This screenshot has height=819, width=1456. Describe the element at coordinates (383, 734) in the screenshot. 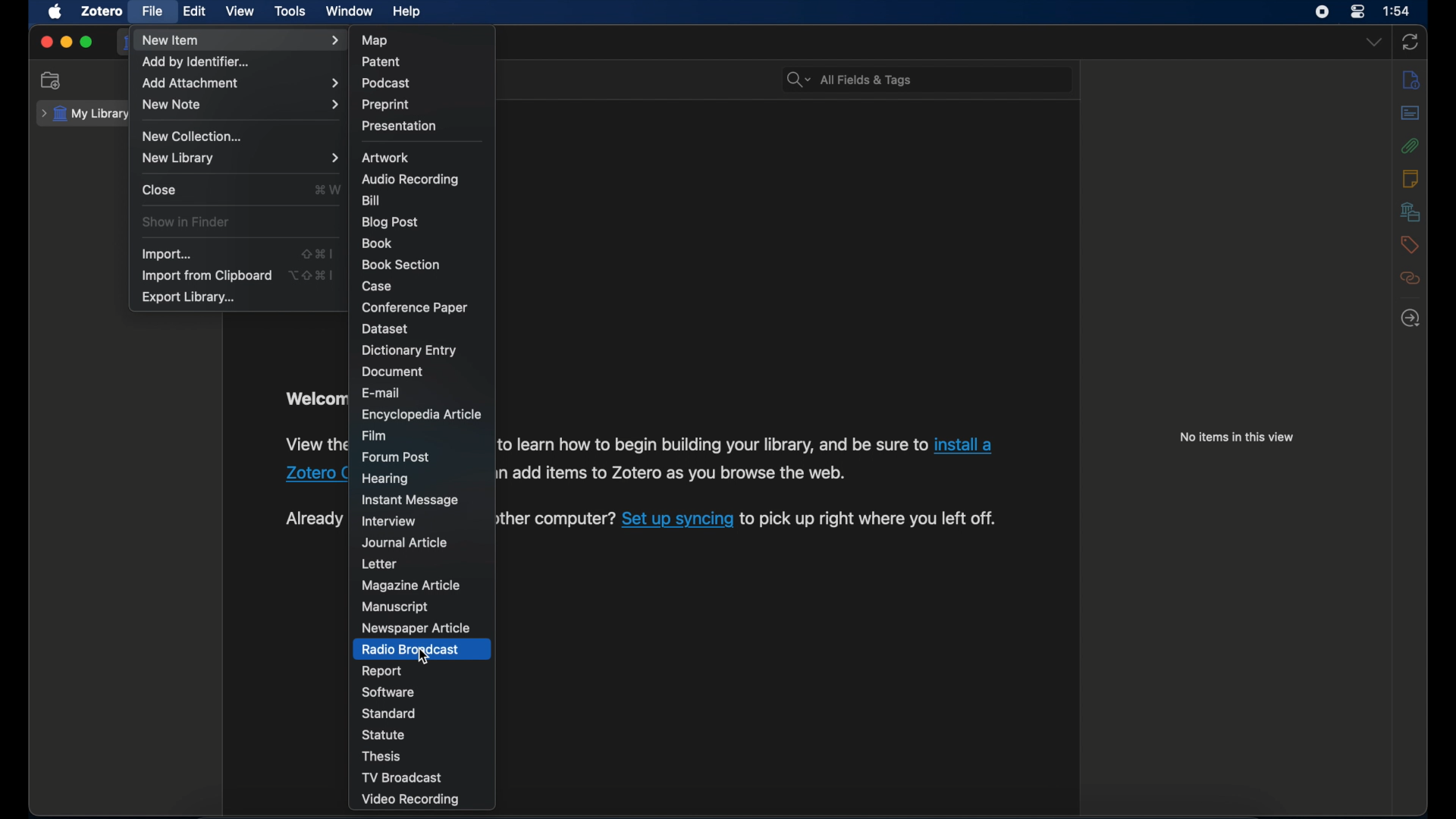

I see `statue` at that location.